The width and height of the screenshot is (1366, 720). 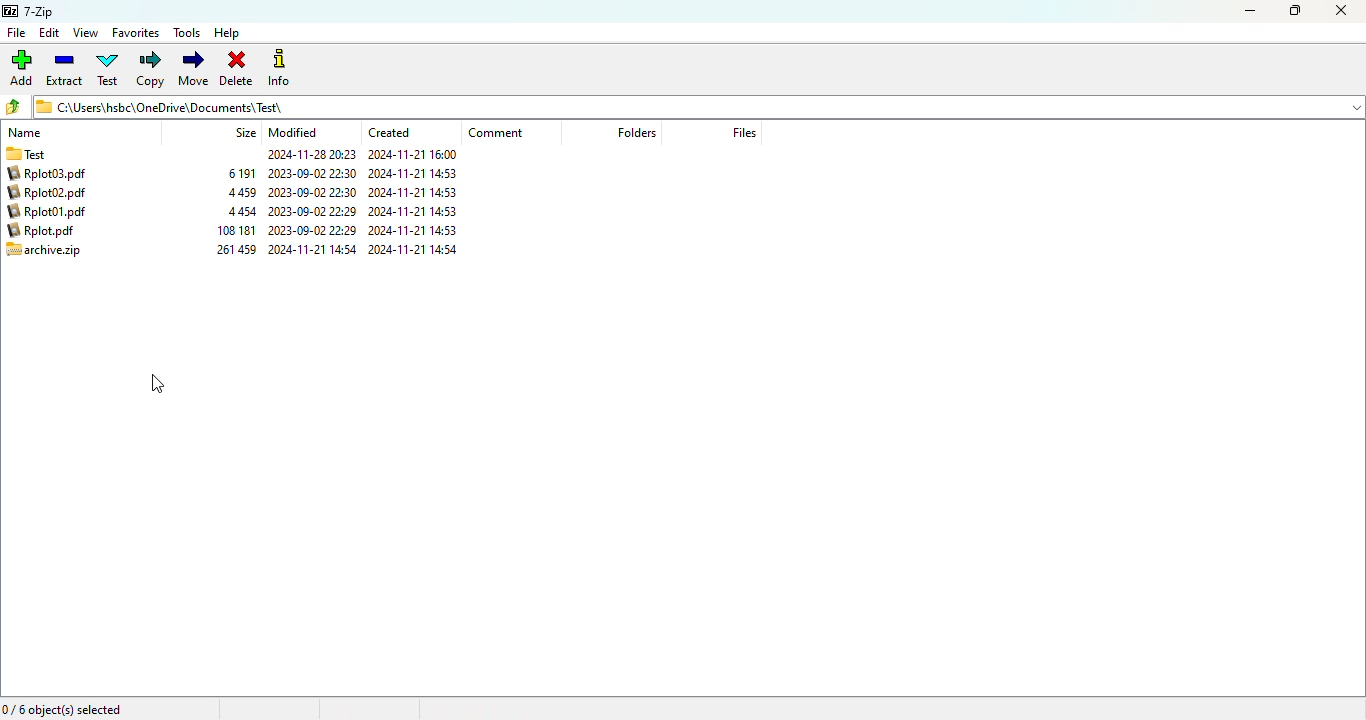 I want to click on 0/6 object(s) selected, so click(x=66, y=708).